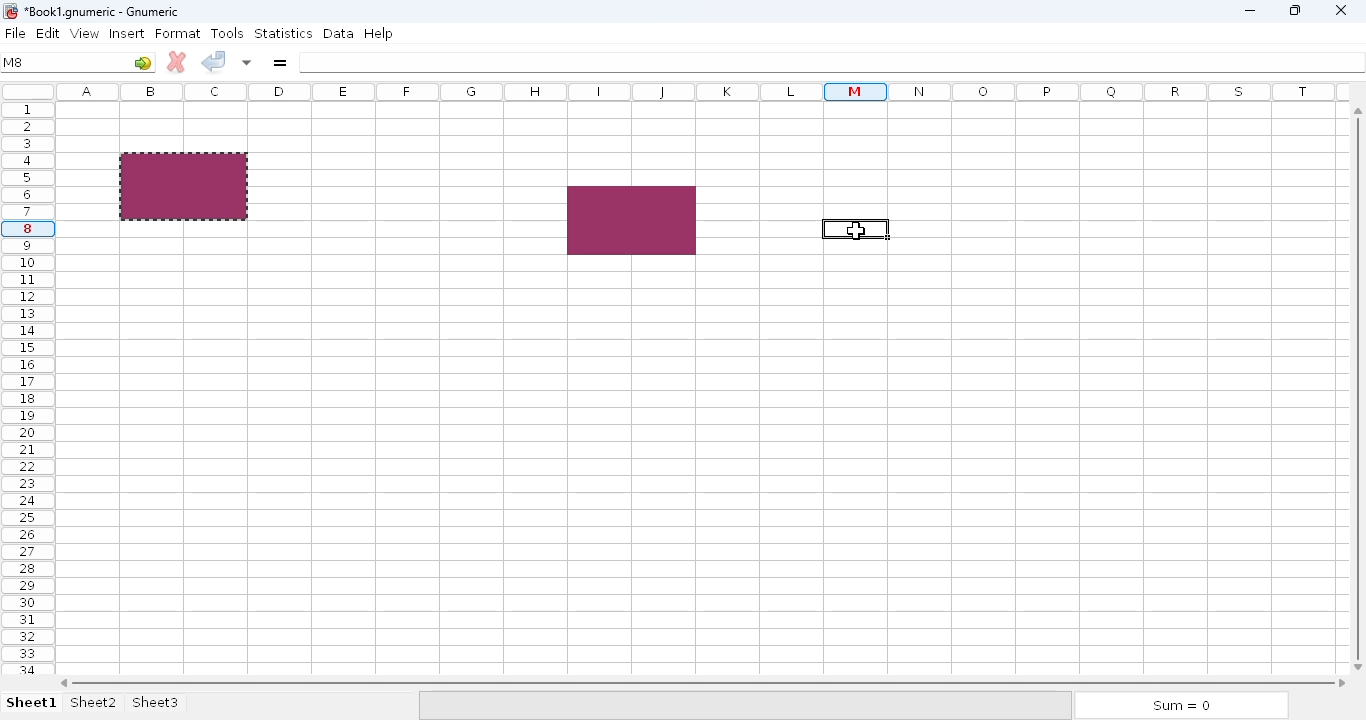 The width and height of the screenshot is (1366, 720). What do you see at coordinates (176, 62) in the screenshot?
I see `cancel change` at bounding box center [176, 62].